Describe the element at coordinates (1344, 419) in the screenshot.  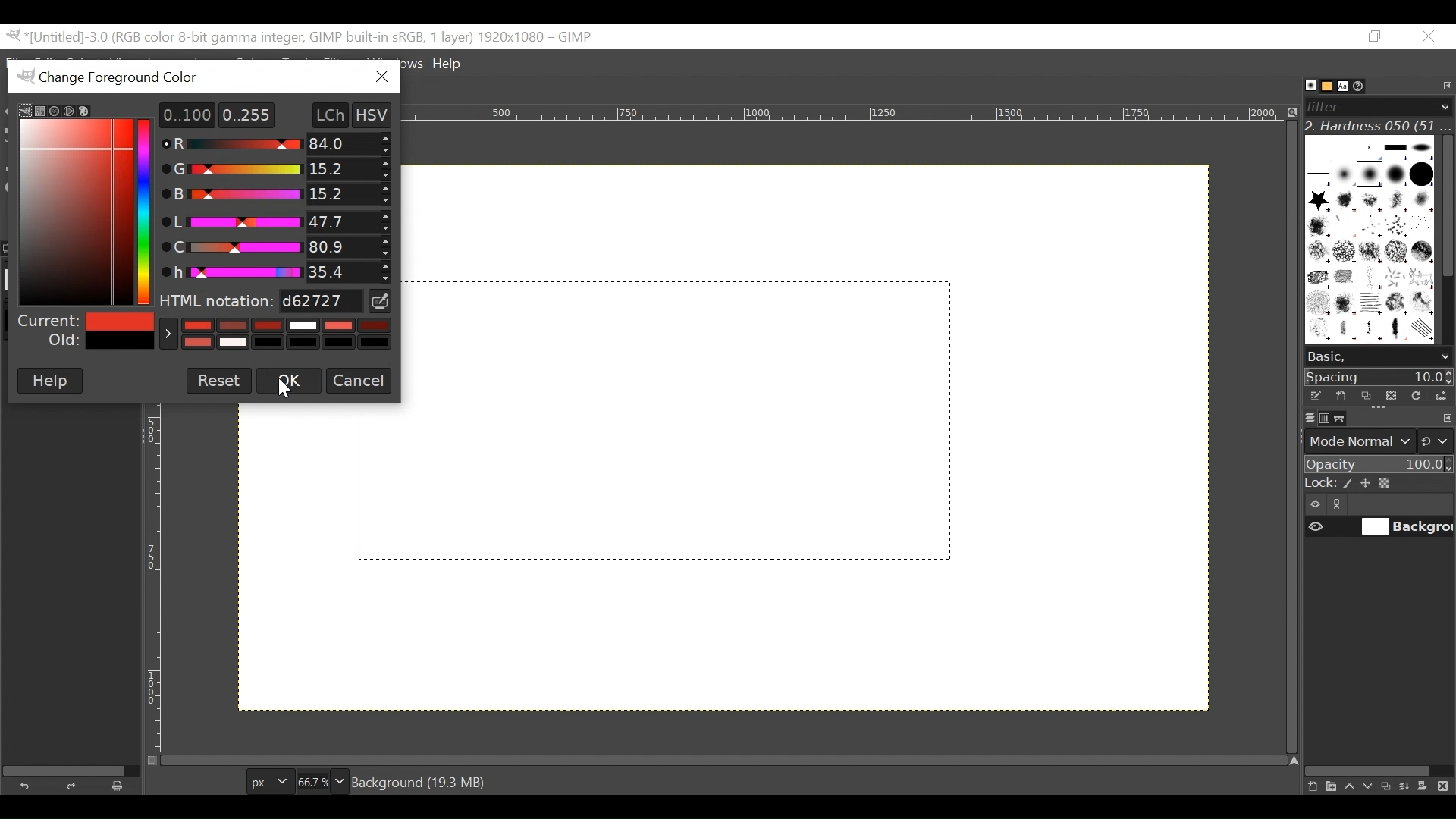
I see `Paths` at that location.